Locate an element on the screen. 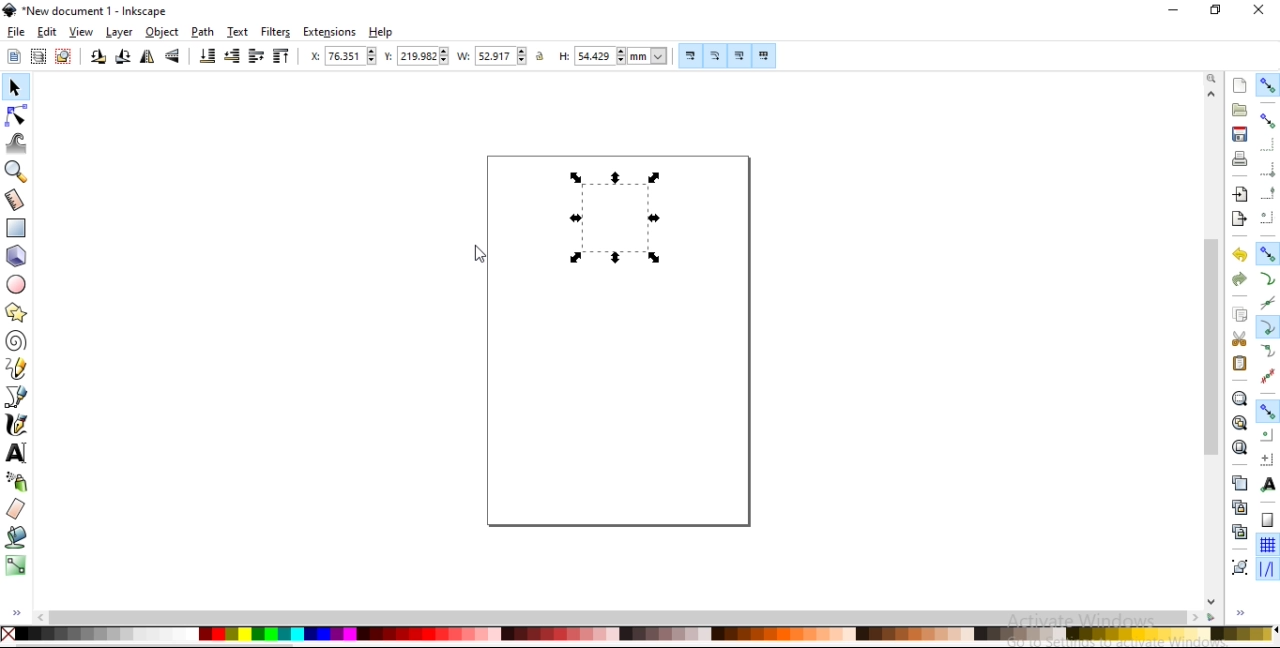 The height and width of the screenshot is (648, 1280). snap guide is located at coordinates (1266, 569).